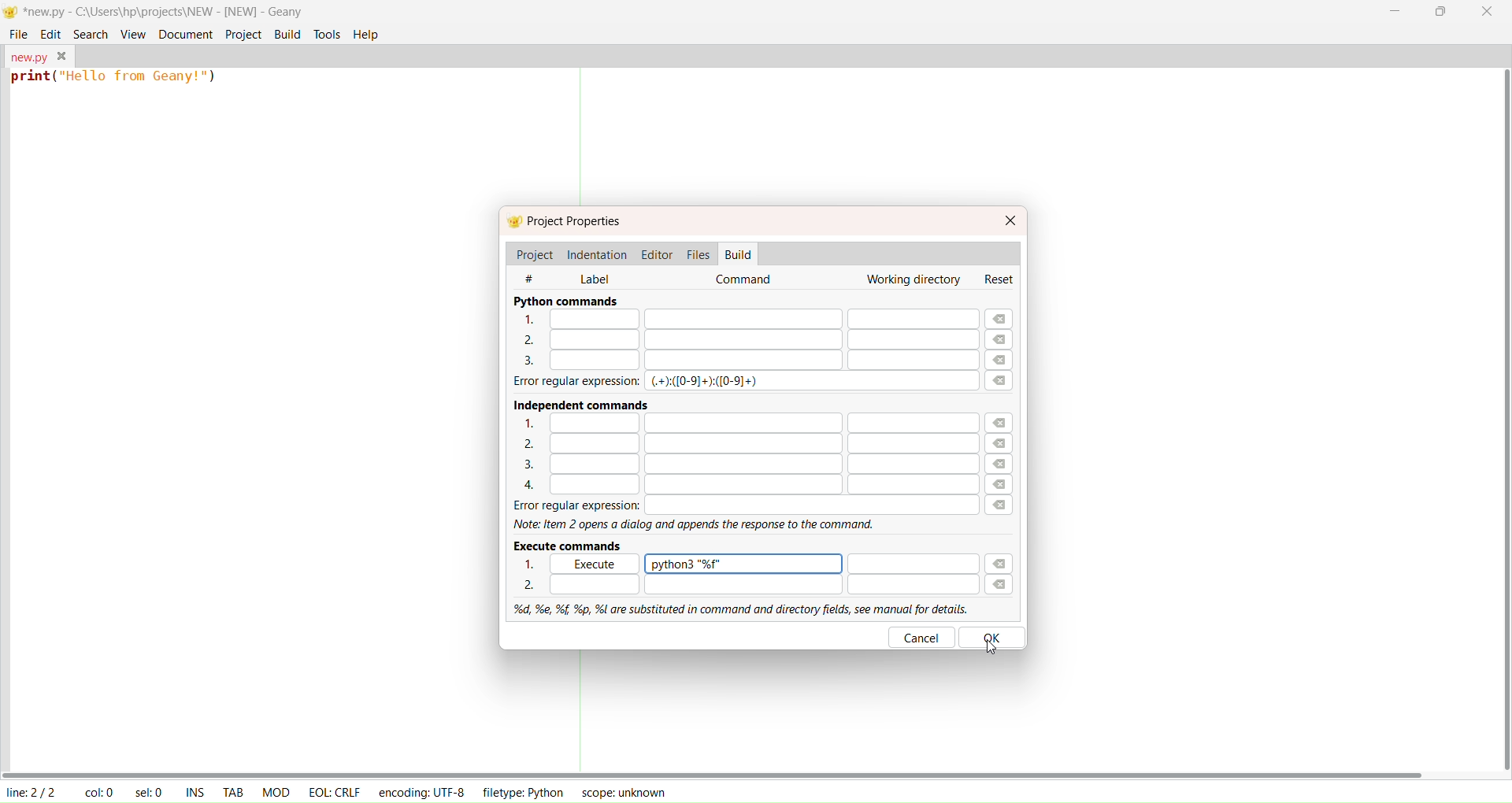 The width and height of the screenshot is (1512, 803). What do you see at coordinates (1004, 454) in the screenshot?
I see `clear` at bounding box center [1004, 454].